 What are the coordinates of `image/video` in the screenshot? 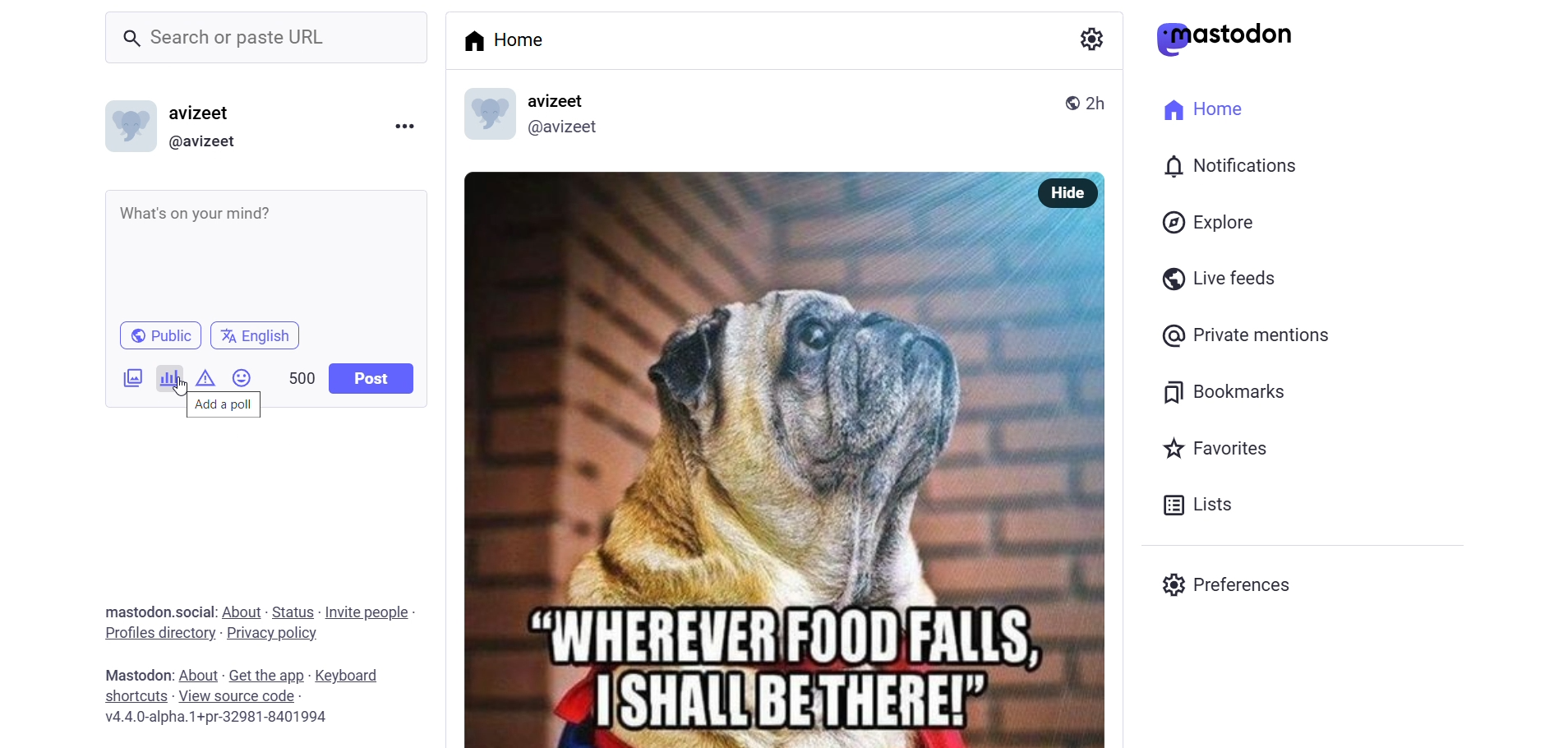 It's located at (128, 379).